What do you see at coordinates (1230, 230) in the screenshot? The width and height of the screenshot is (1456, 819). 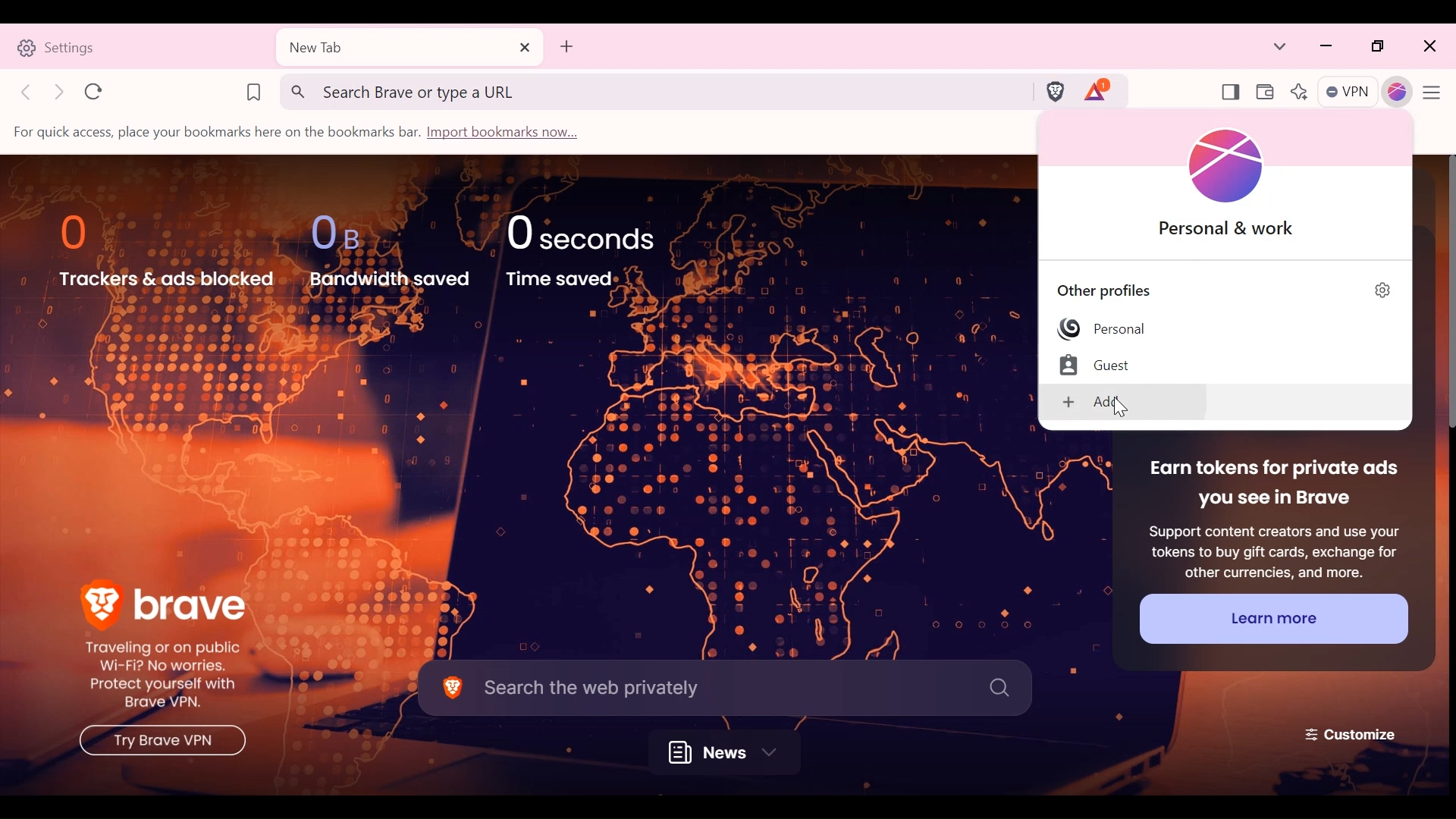 I see `Personal & work` at bounding box center [1230, 230].